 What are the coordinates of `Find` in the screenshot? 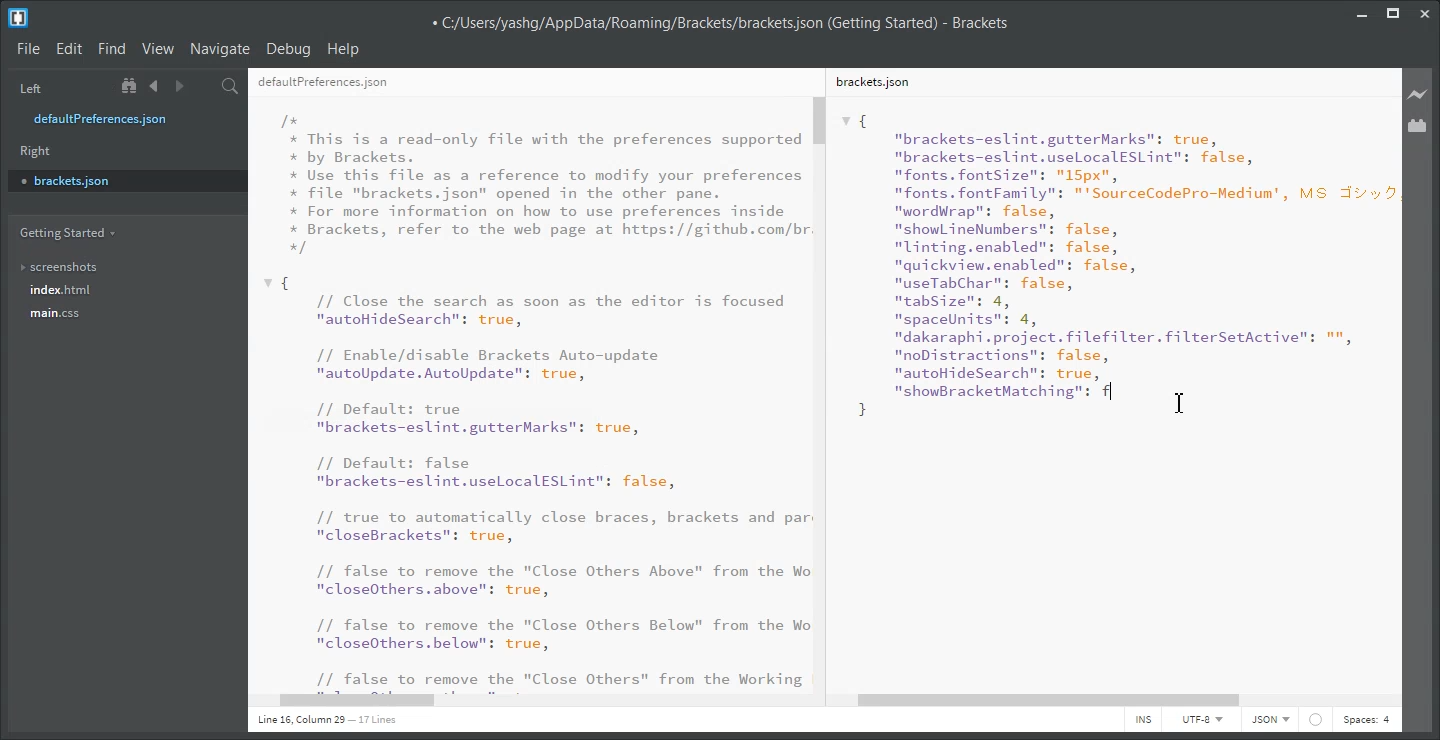 It's located at (112, 49).